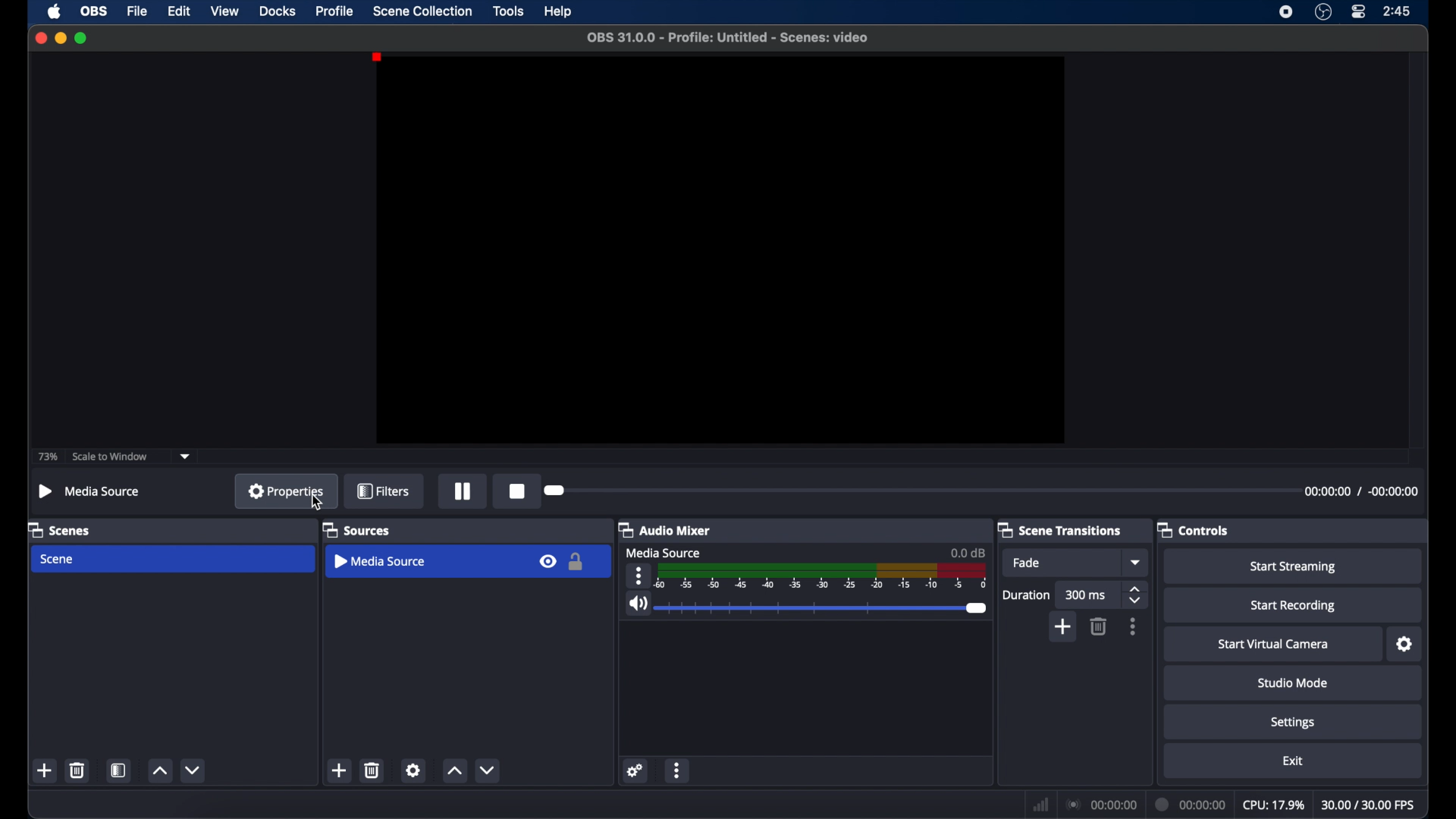 This screenshot has height=819, width=1456. What do you see at coordinates (1294, 606) in the screenshot?
I see `start recording` at bounding box center [1294, 606].